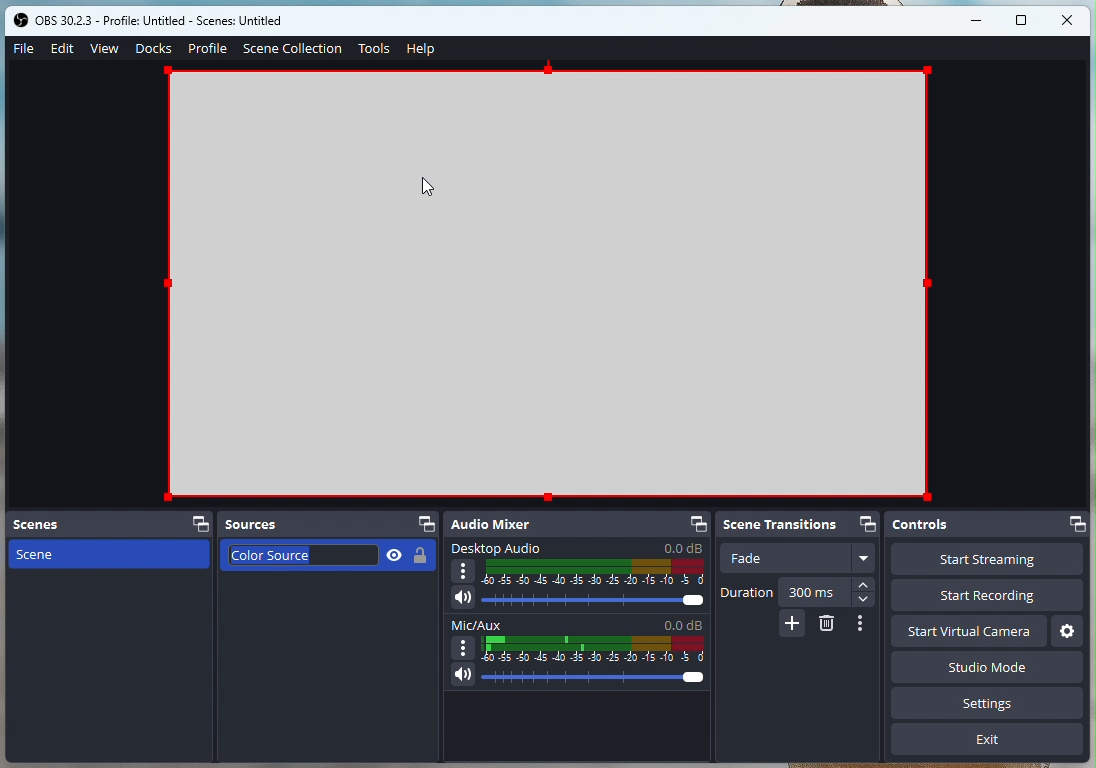  I want to click on SceneCollection, so click(294, 47).